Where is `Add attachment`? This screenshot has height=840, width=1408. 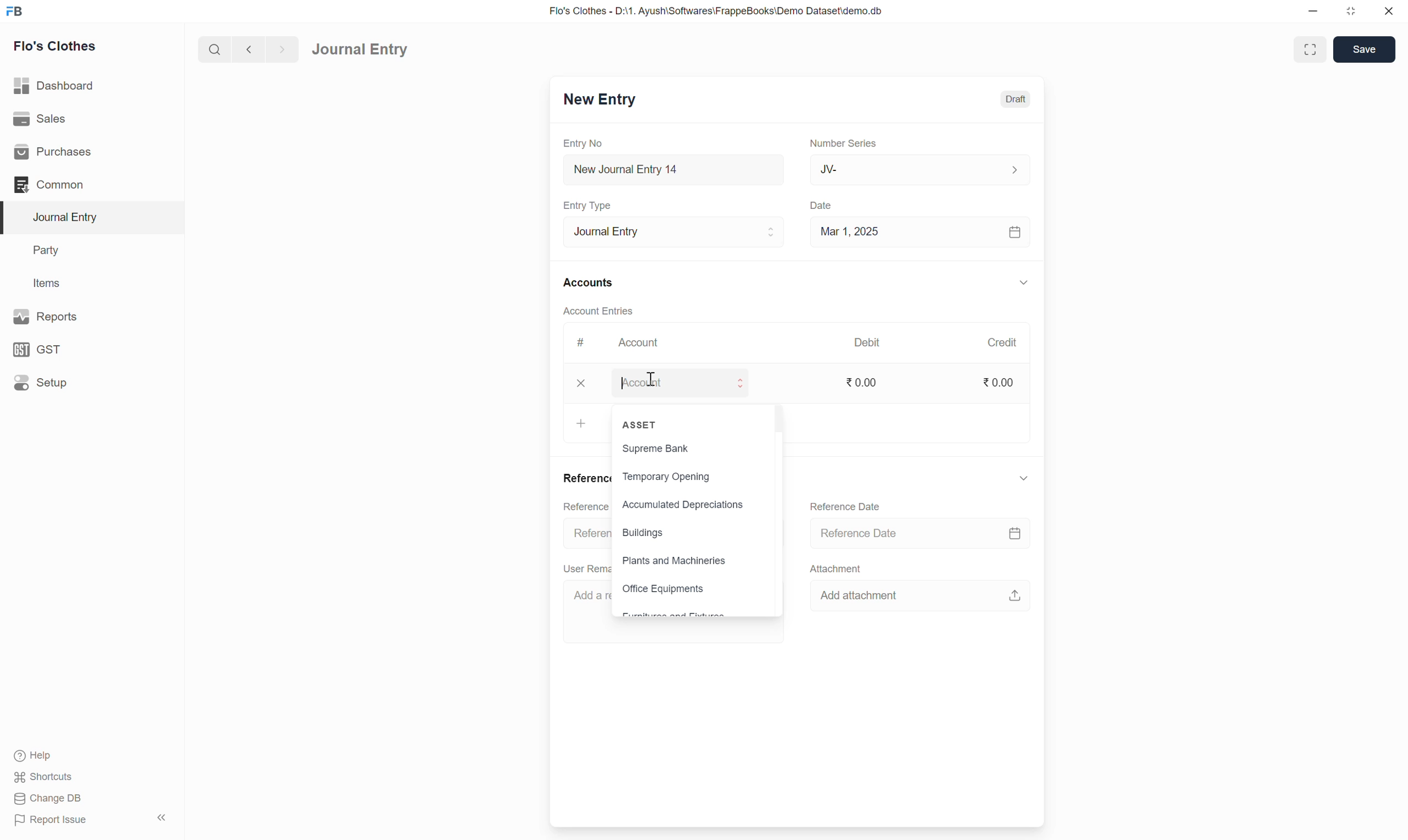
Add attachment is located at coordinates (869, 596).